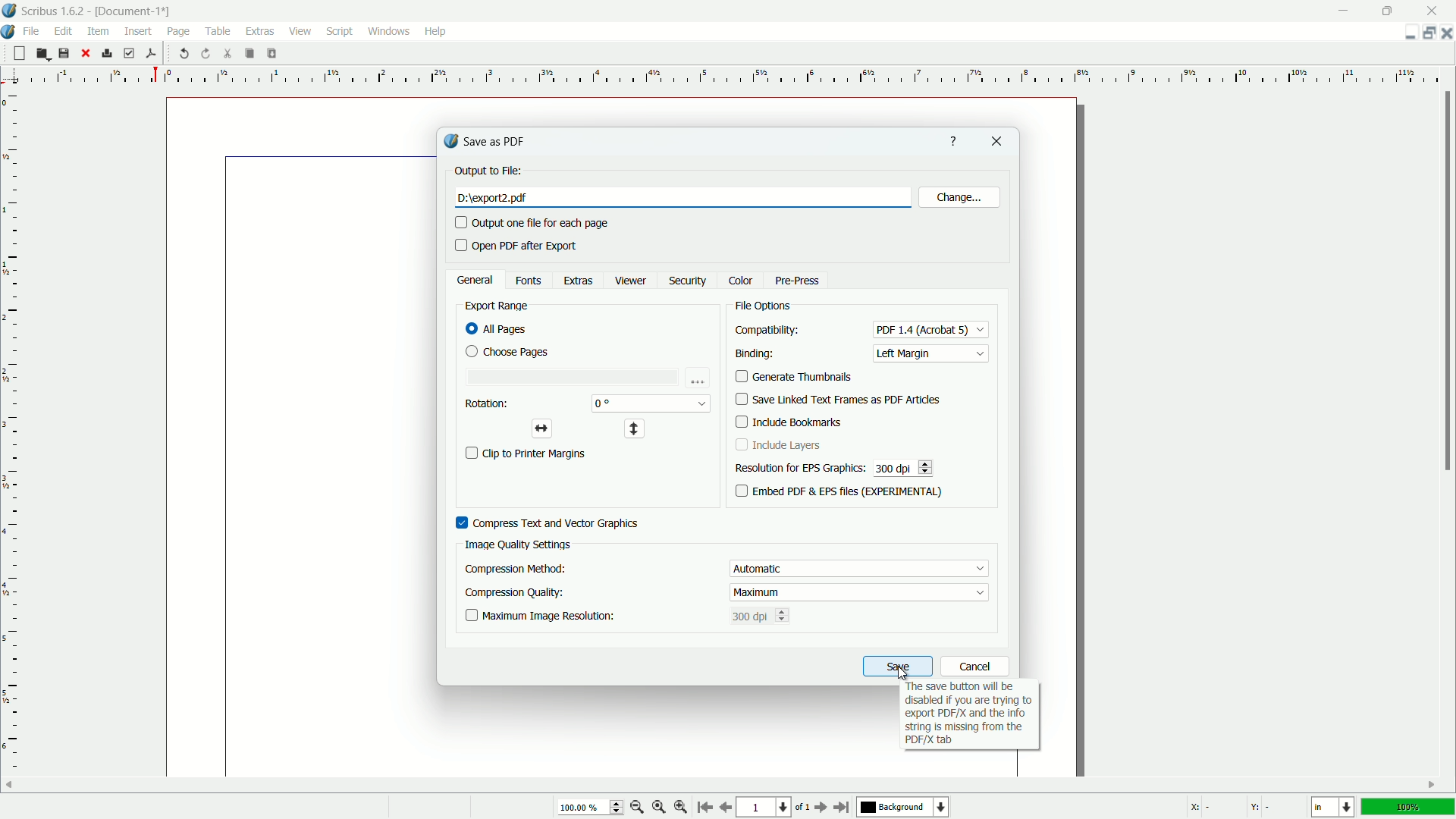 This screenshot has height=819, width=1456. Describe the element at coordinates (602, 403) in the screenshot. I see `0 degree` at that location.